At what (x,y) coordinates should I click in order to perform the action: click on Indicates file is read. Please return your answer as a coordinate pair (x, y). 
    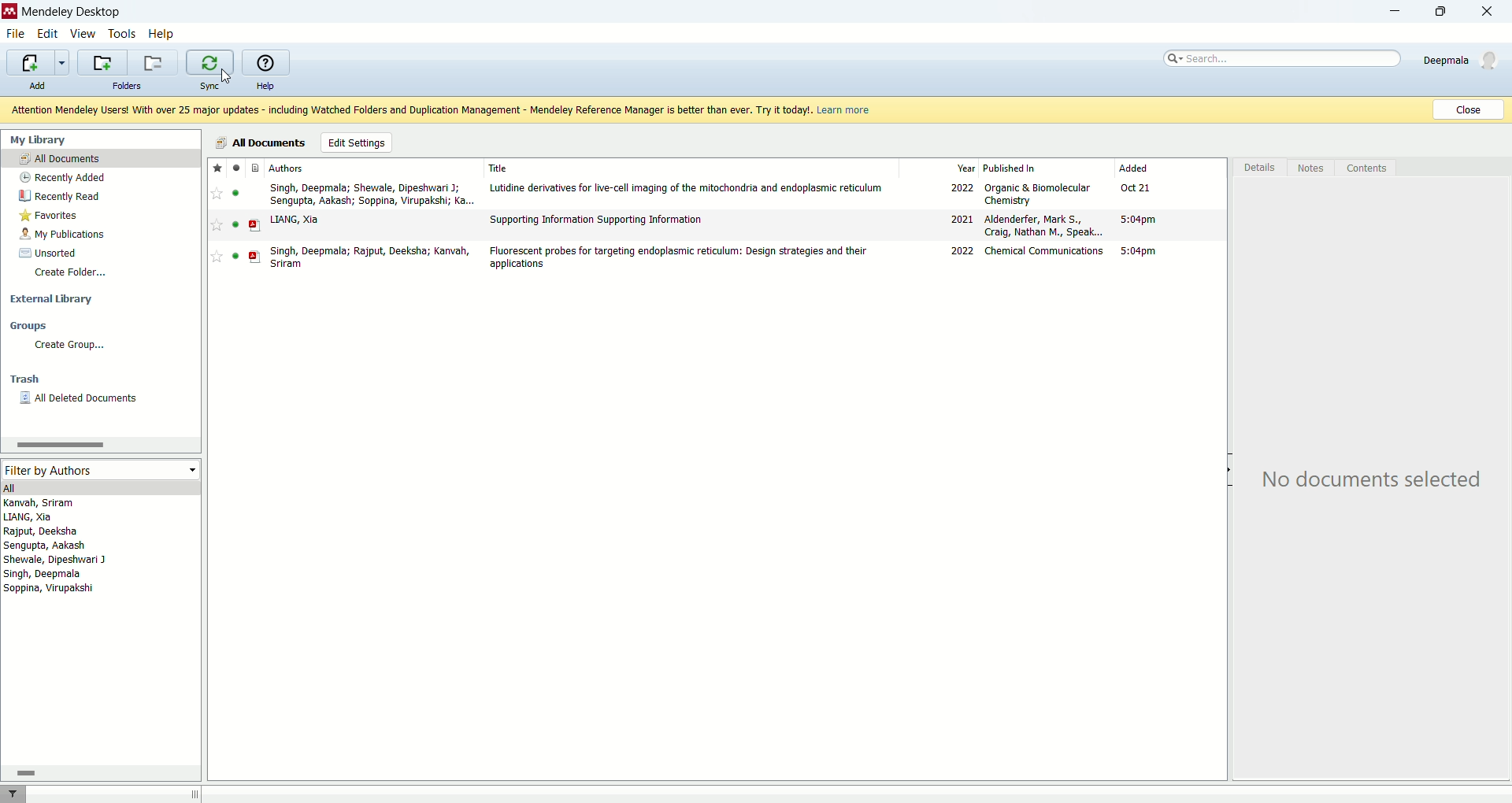
    Looking at the image, I should click on (235, 166).